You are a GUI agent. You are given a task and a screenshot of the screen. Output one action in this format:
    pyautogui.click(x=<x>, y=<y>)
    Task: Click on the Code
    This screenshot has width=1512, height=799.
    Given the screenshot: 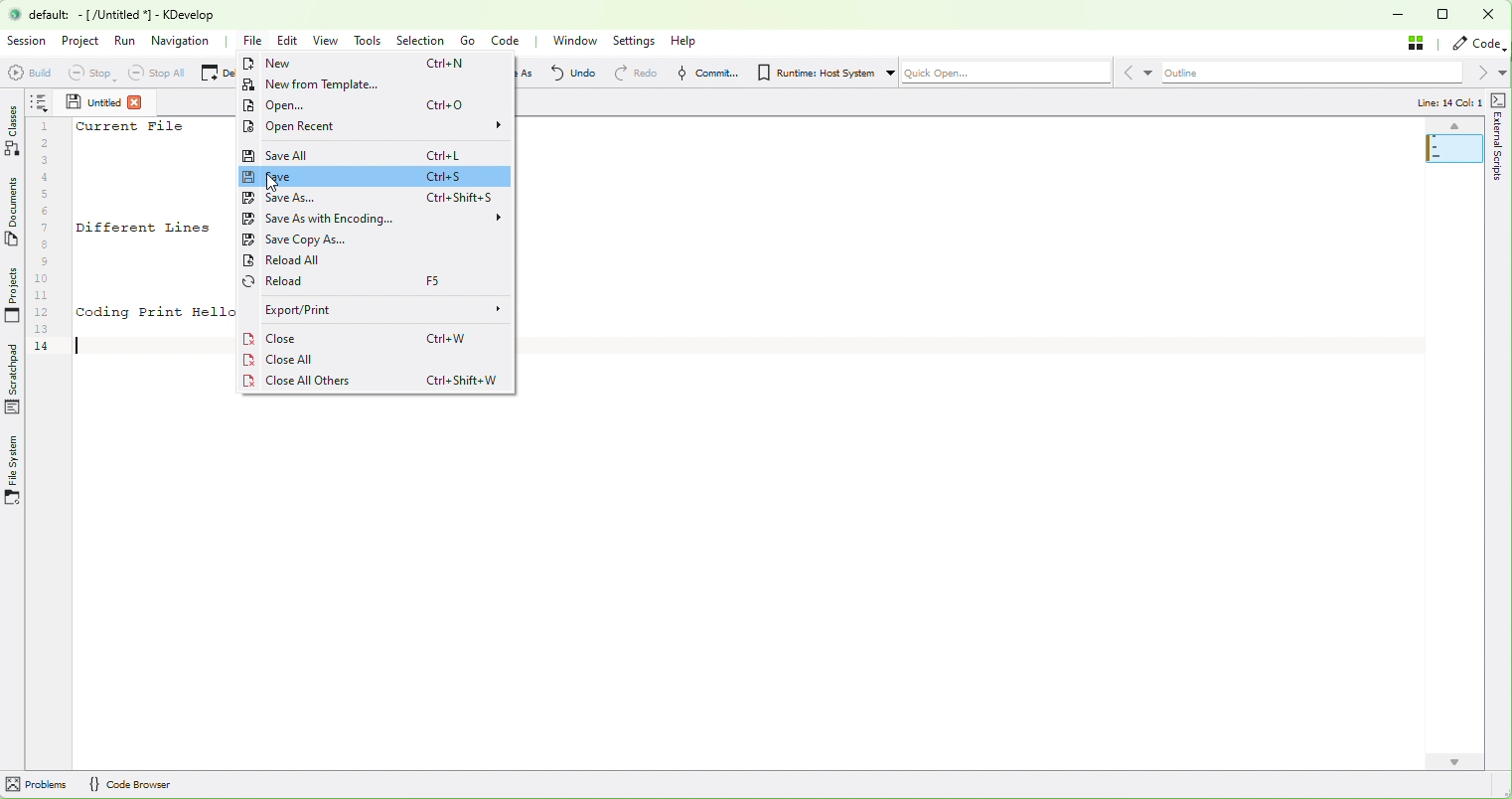 What is the action you would take?
    pyautogui.click(x=508, y=42)
    